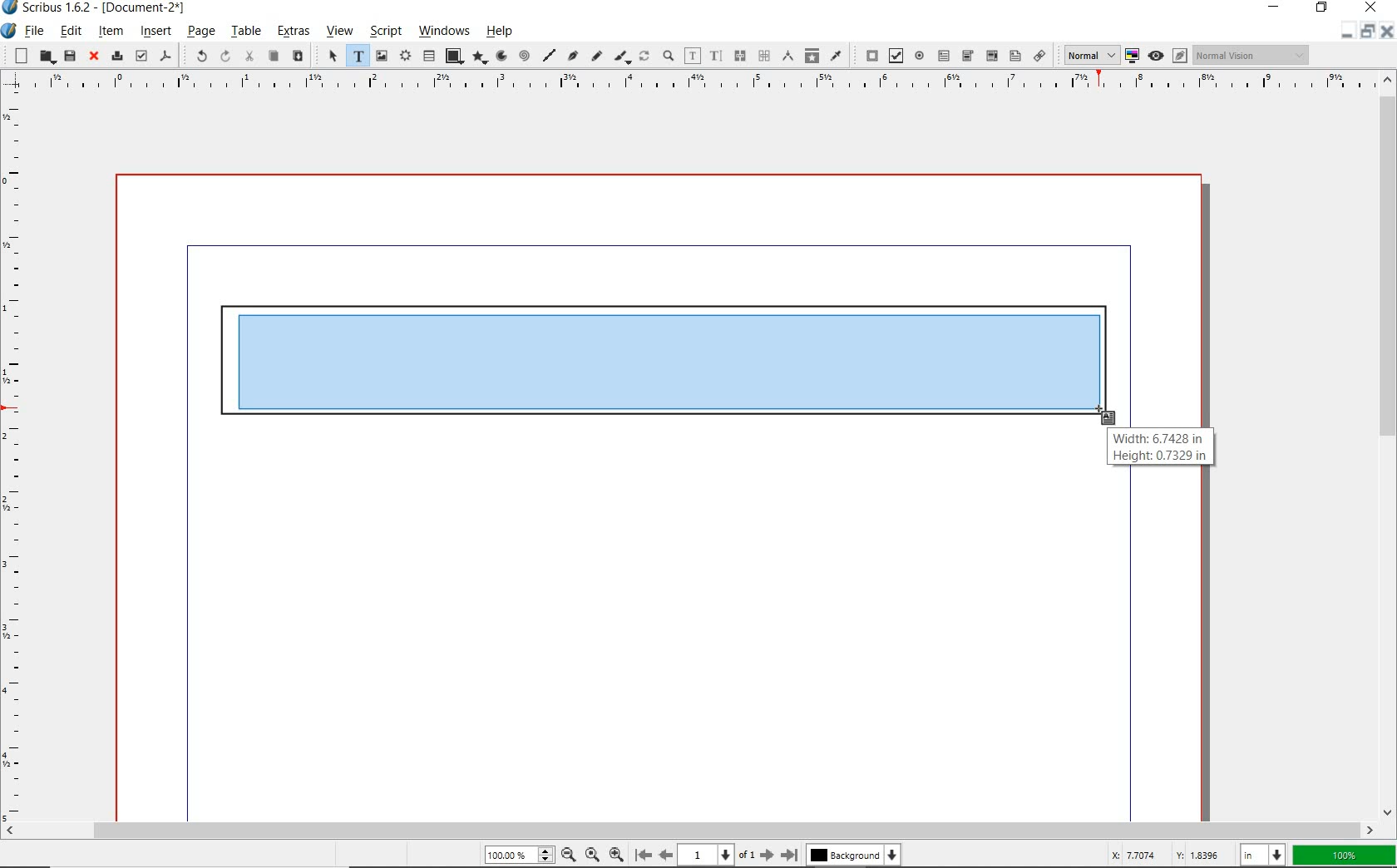 The height and width of the screenshot is (868, 1397). What do you see at coordinates (594, 855) in the screenshot?
I see `zoom to` at bounding box center [594, 855].